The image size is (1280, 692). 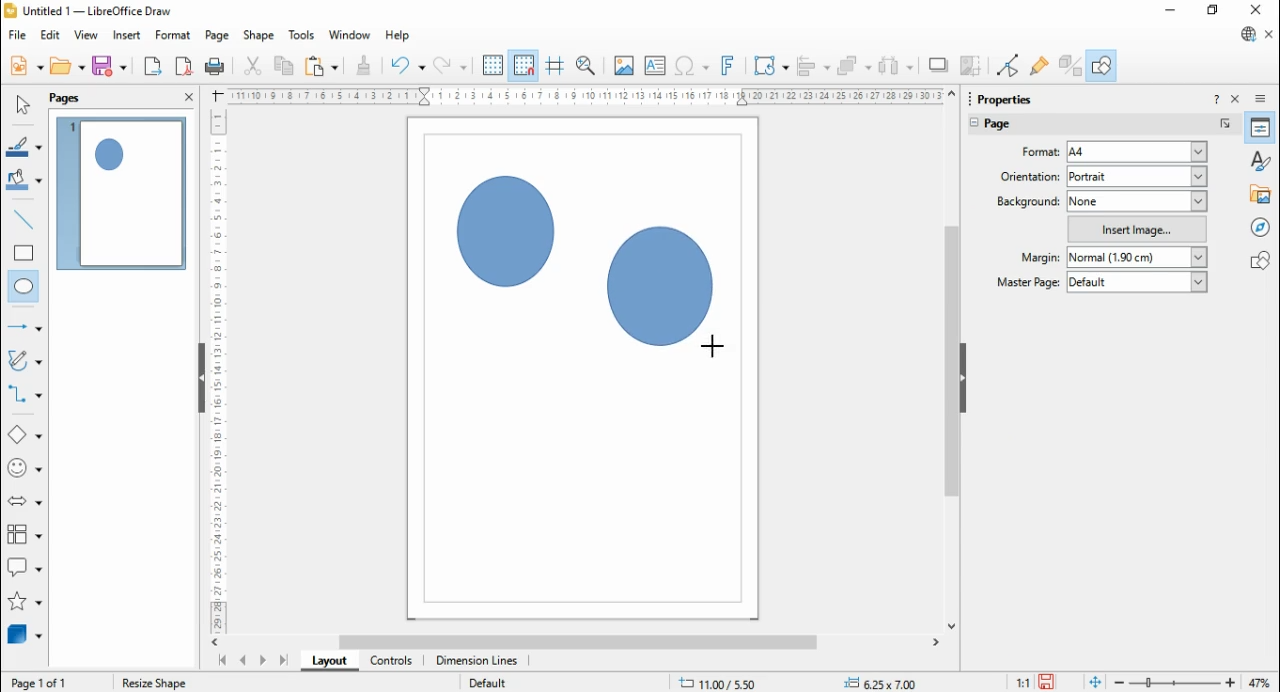 I want to click on master page, so click(x=1030, y=281).